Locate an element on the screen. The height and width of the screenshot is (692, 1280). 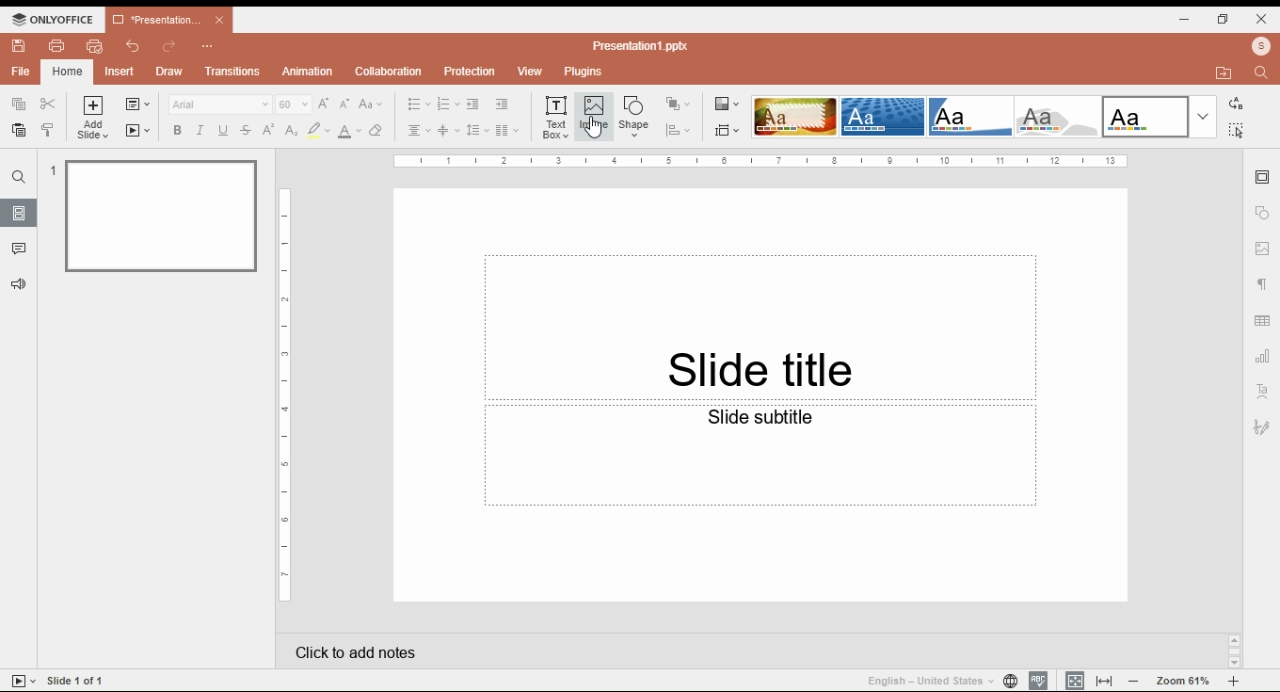
color themes is located at coordinates (724, 103).